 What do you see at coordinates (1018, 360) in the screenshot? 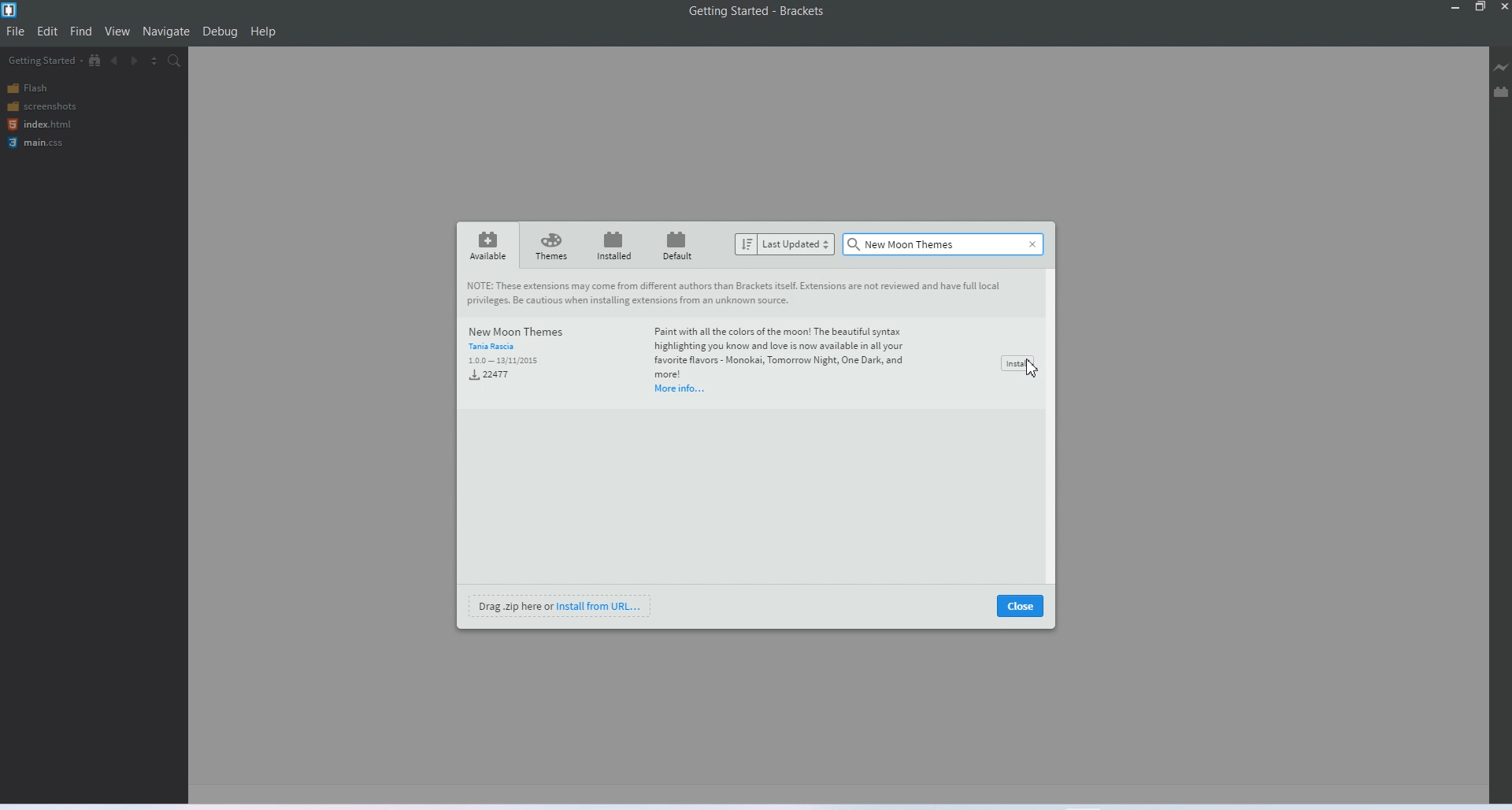
I see `Install` at bounding box center [1018, 360].